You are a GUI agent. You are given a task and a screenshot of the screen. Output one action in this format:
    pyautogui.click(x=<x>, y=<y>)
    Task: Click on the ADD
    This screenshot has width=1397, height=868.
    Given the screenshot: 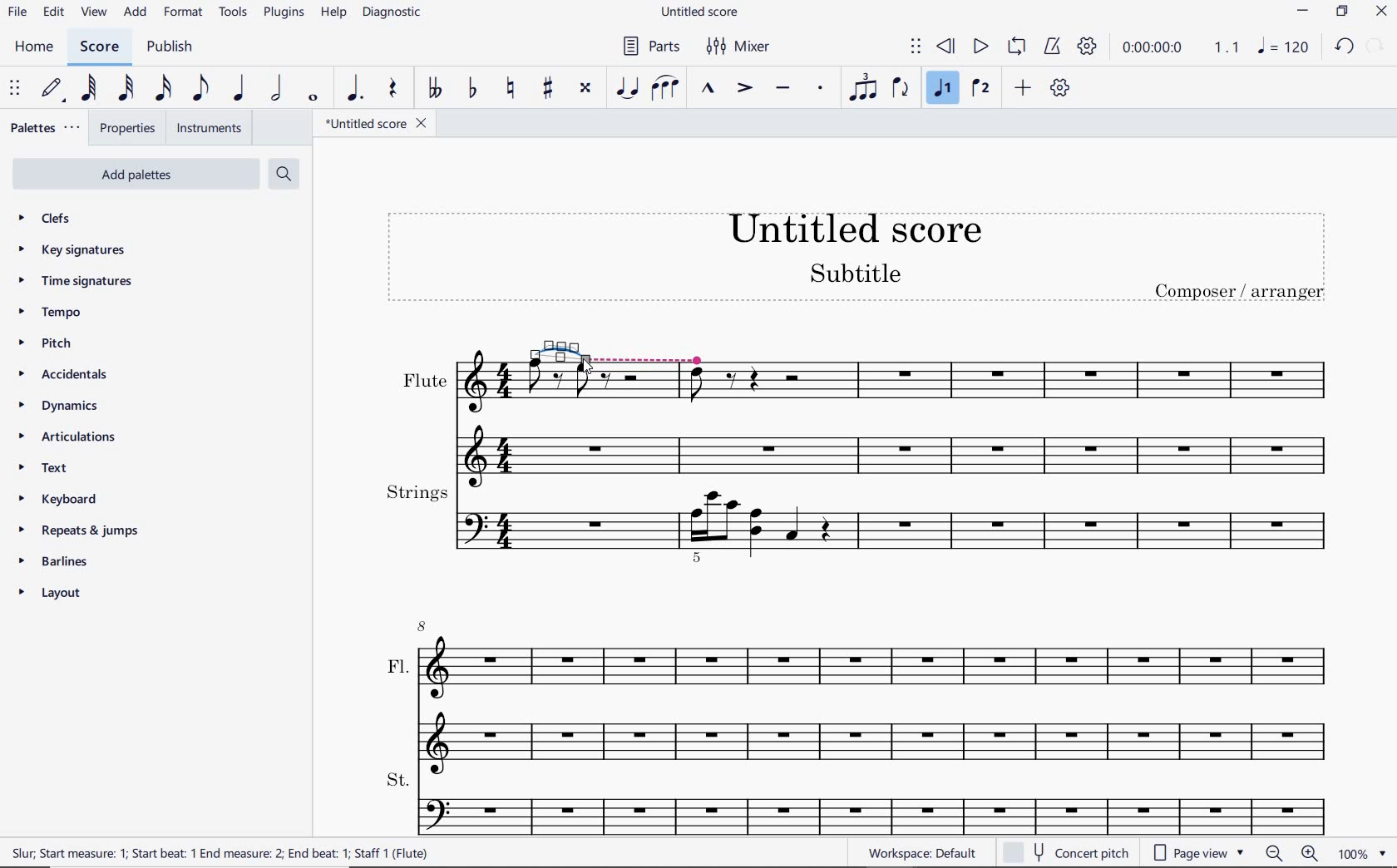 What is the action you would take?
    pyautogui.click(x=1022, y=89)
    